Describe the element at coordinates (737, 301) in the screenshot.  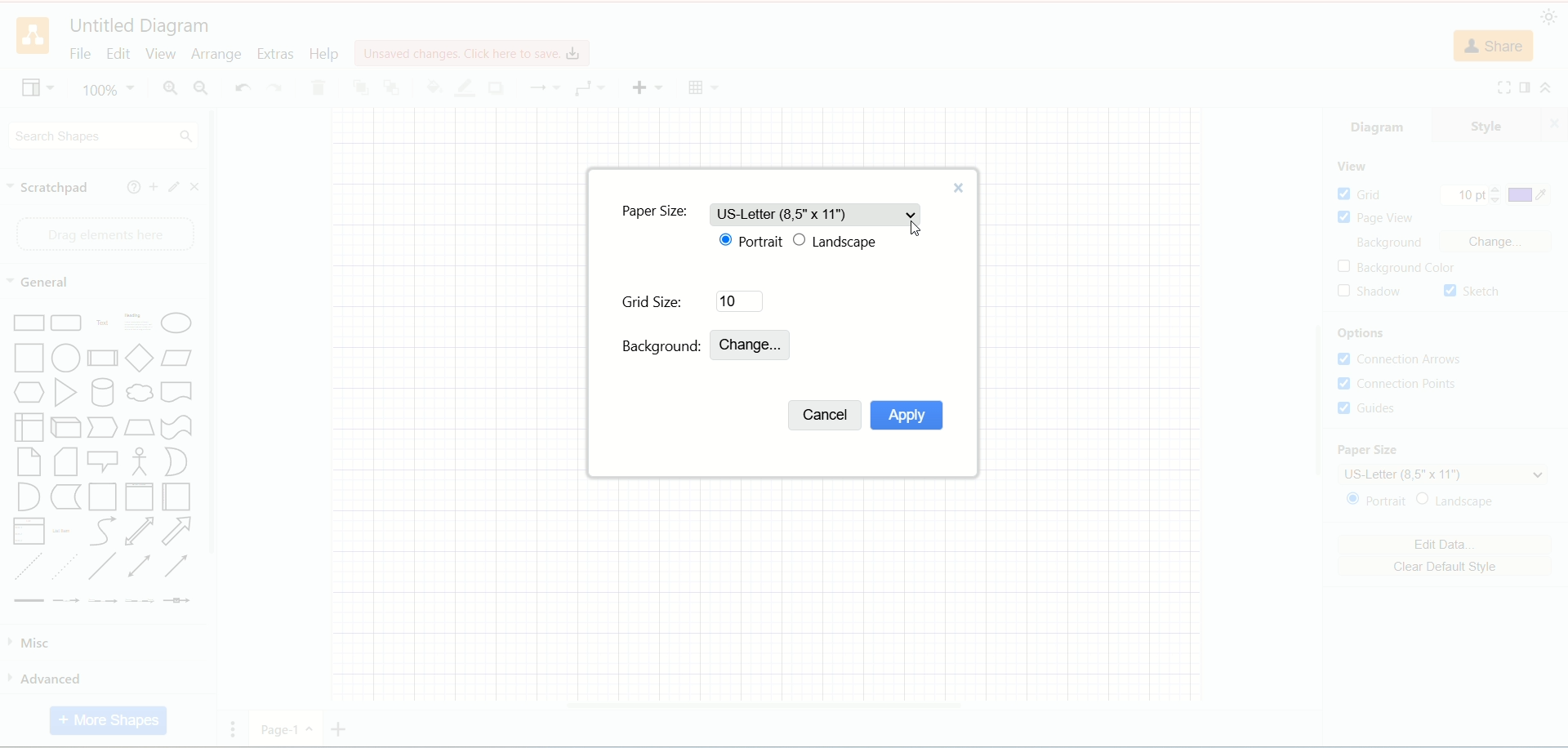
I see `10` at that location.